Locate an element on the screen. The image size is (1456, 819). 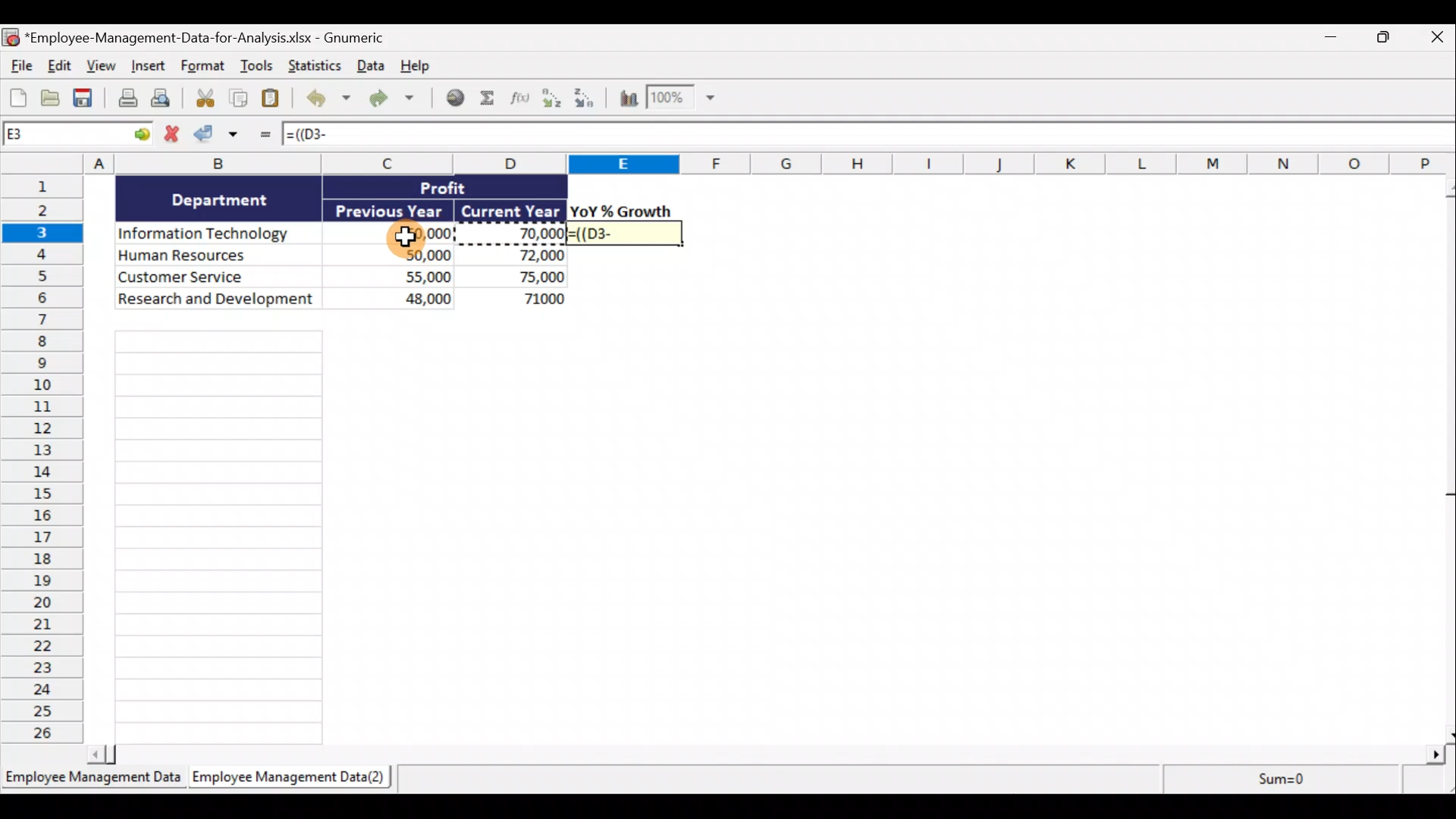
Zoom is located at coordinates (680, 99).